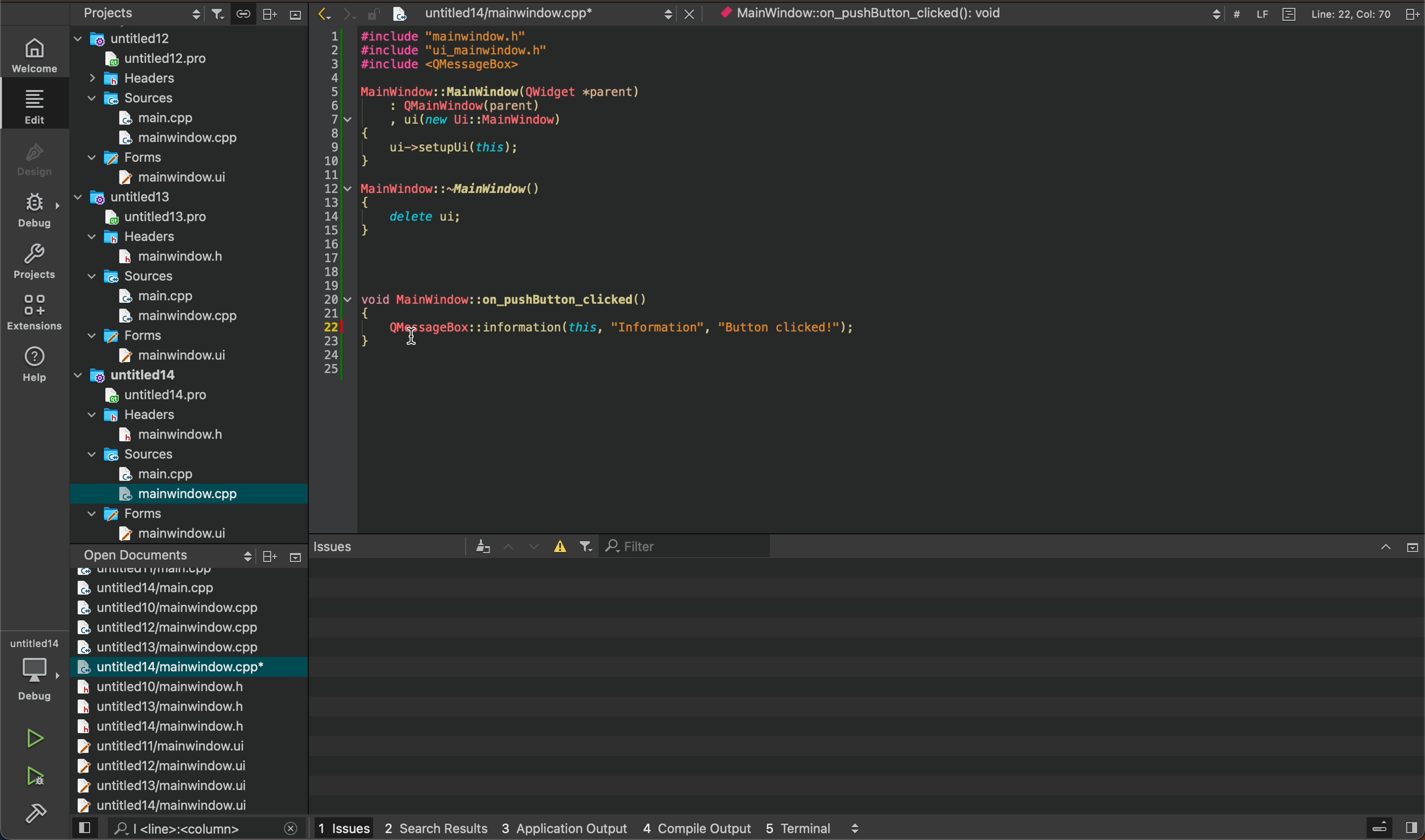 The image size is (1425, 840). I want to click on cursor, so click(420, 328).